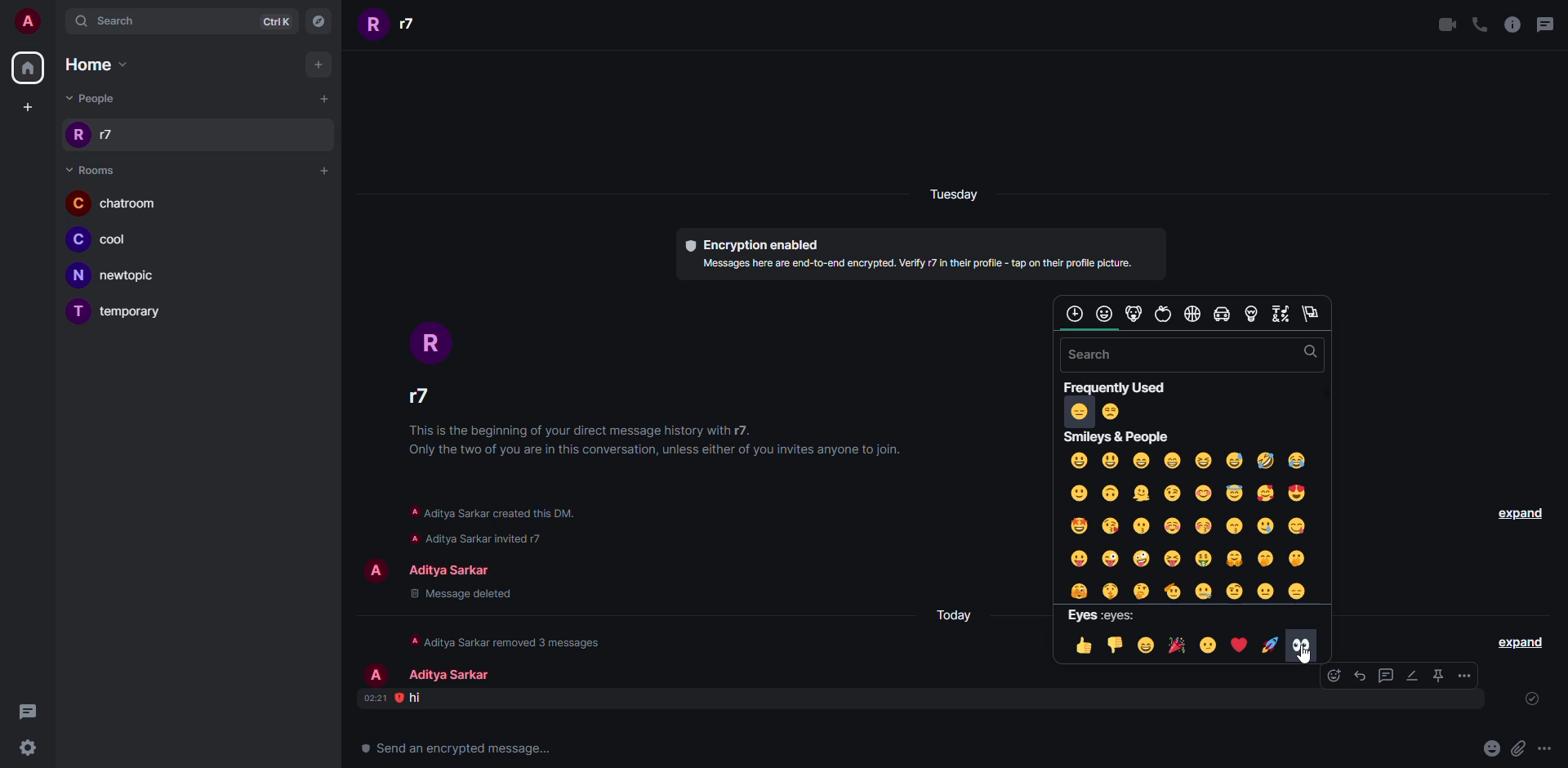 This screenshot has height=768, width=1568. I want to click on day, so click(952, 194).